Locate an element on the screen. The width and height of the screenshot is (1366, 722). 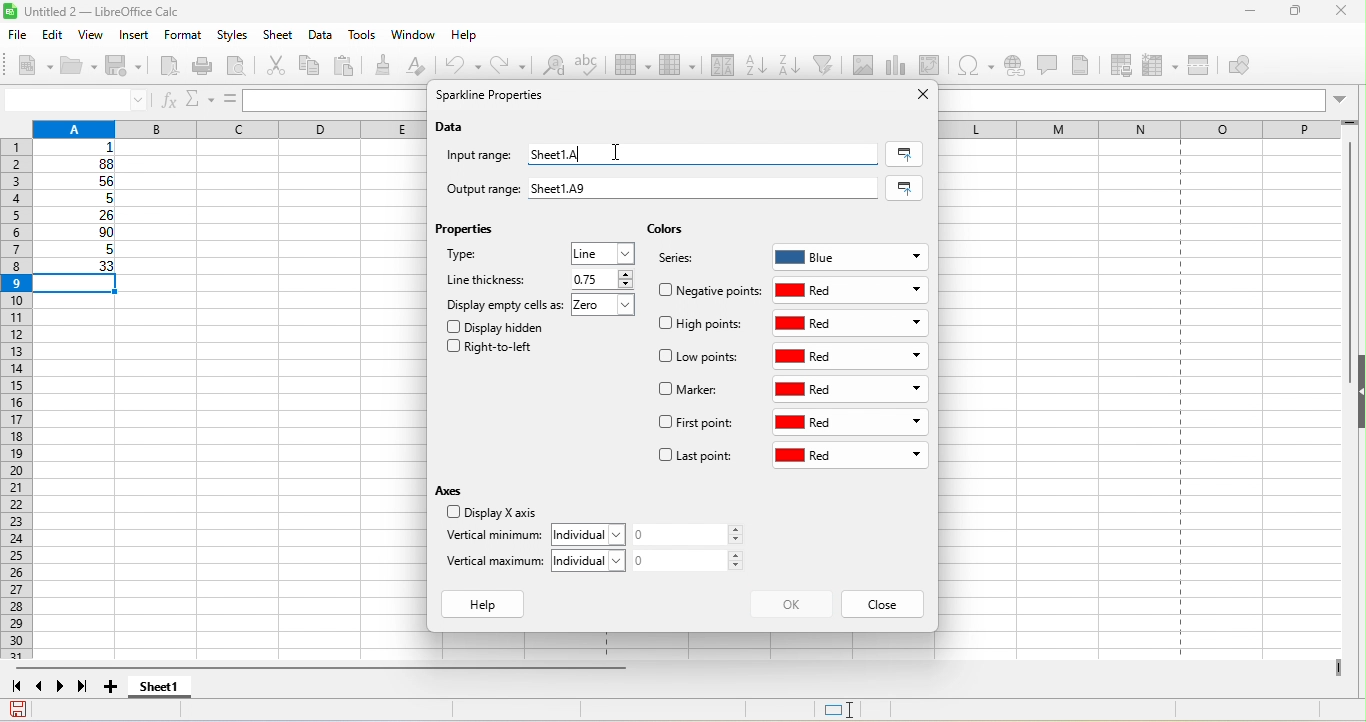
data is located at coordinates (453, 128).